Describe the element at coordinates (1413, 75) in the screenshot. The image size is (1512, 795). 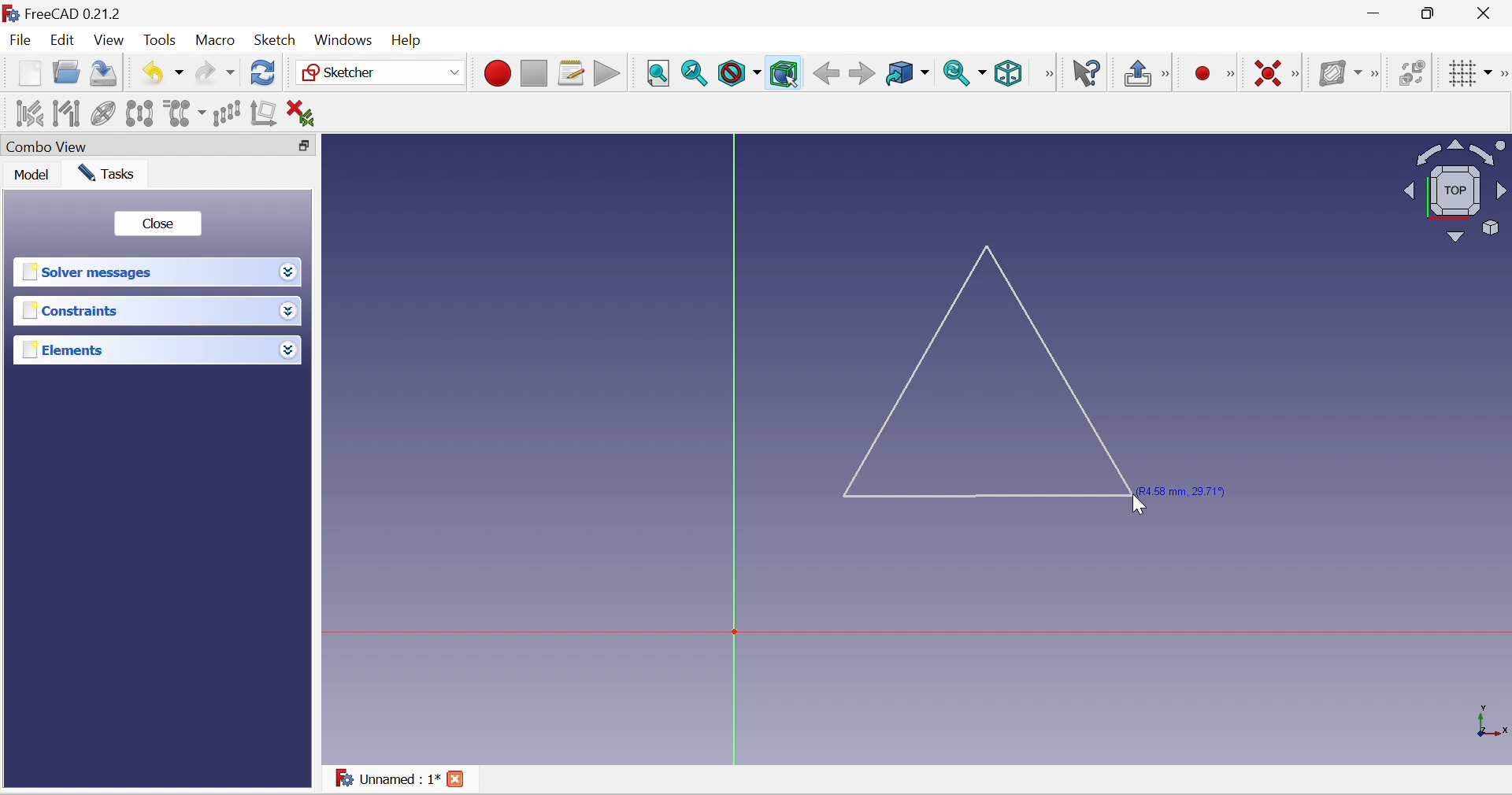
I see `Switch virtual space` at that location.